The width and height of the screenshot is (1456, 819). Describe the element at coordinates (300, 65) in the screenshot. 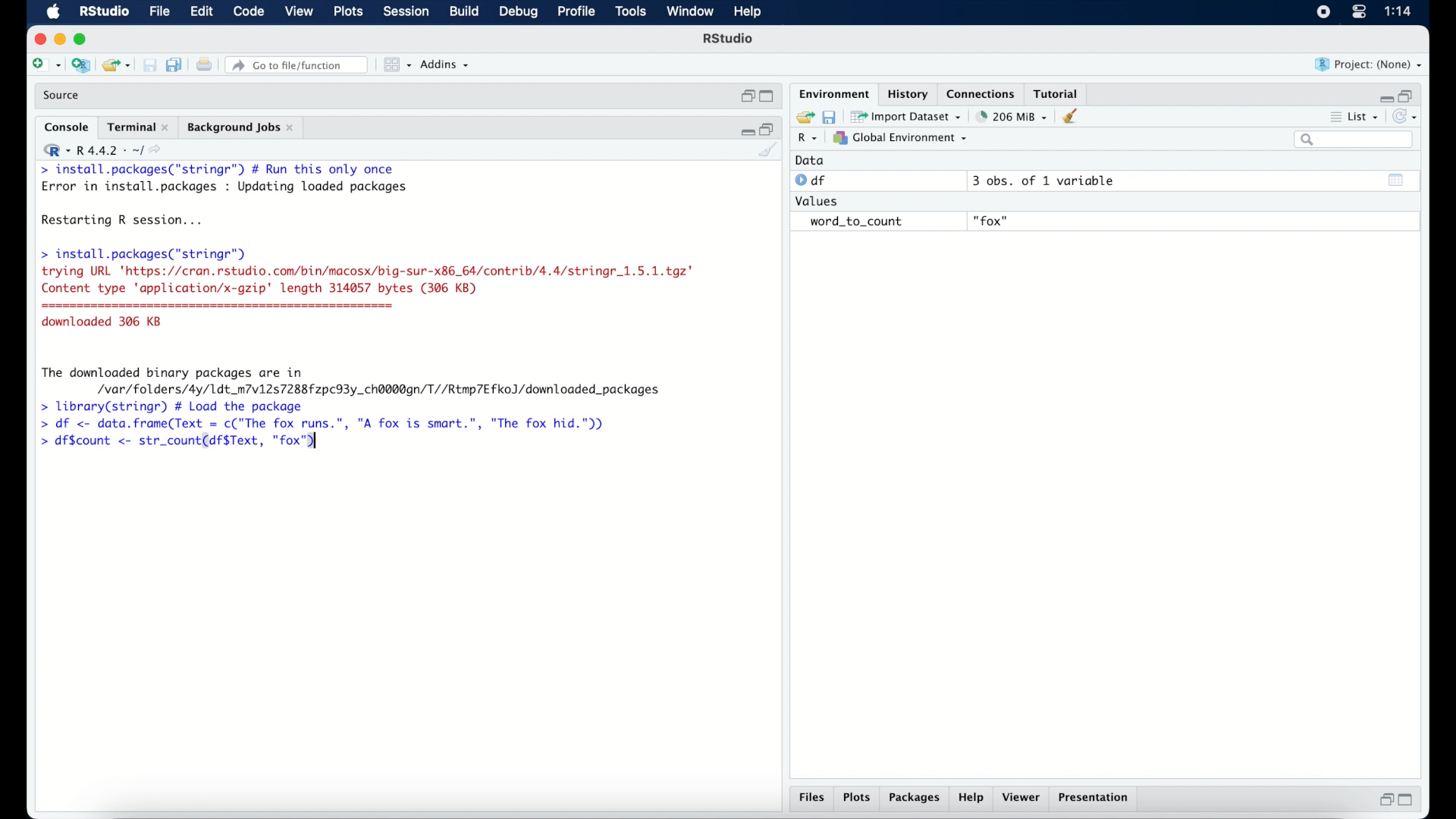

I see `go to file/function` at that location.